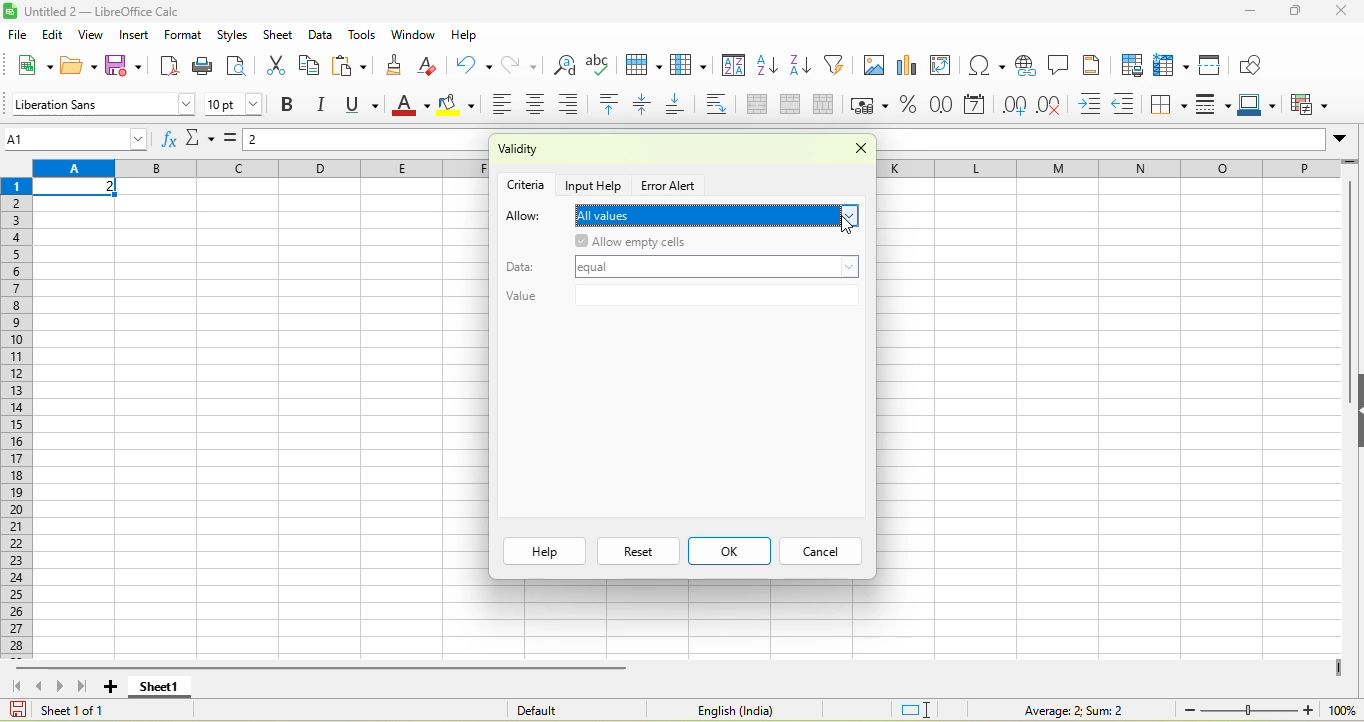 Image resolution: width=1364 pixels, height=722 pixels. What do you see at coordinates (601, 65) in the screenshot?
I see `spelling` at bounding box center [601, 65].